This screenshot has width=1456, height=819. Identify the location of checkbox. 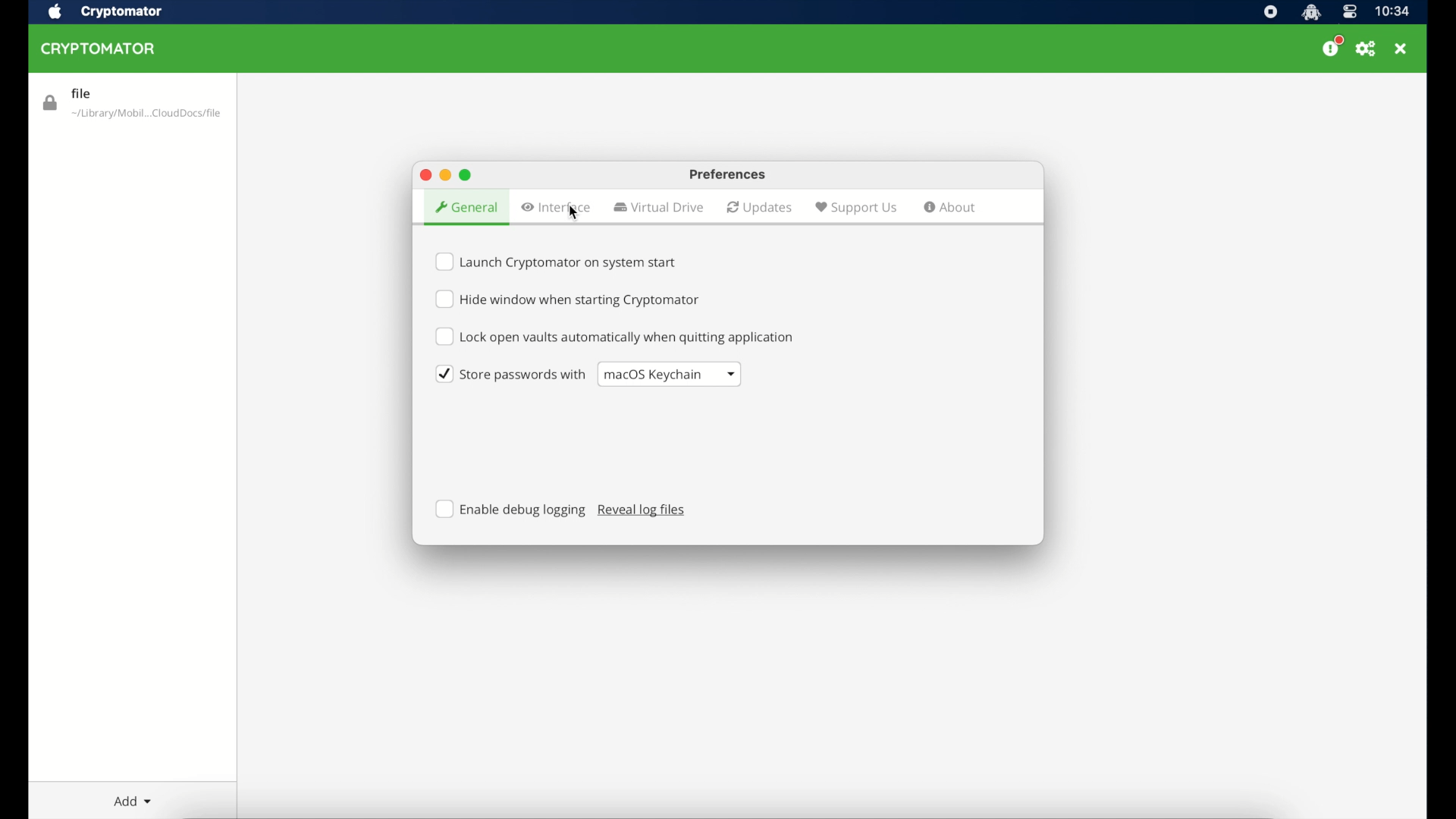
(611, 337).